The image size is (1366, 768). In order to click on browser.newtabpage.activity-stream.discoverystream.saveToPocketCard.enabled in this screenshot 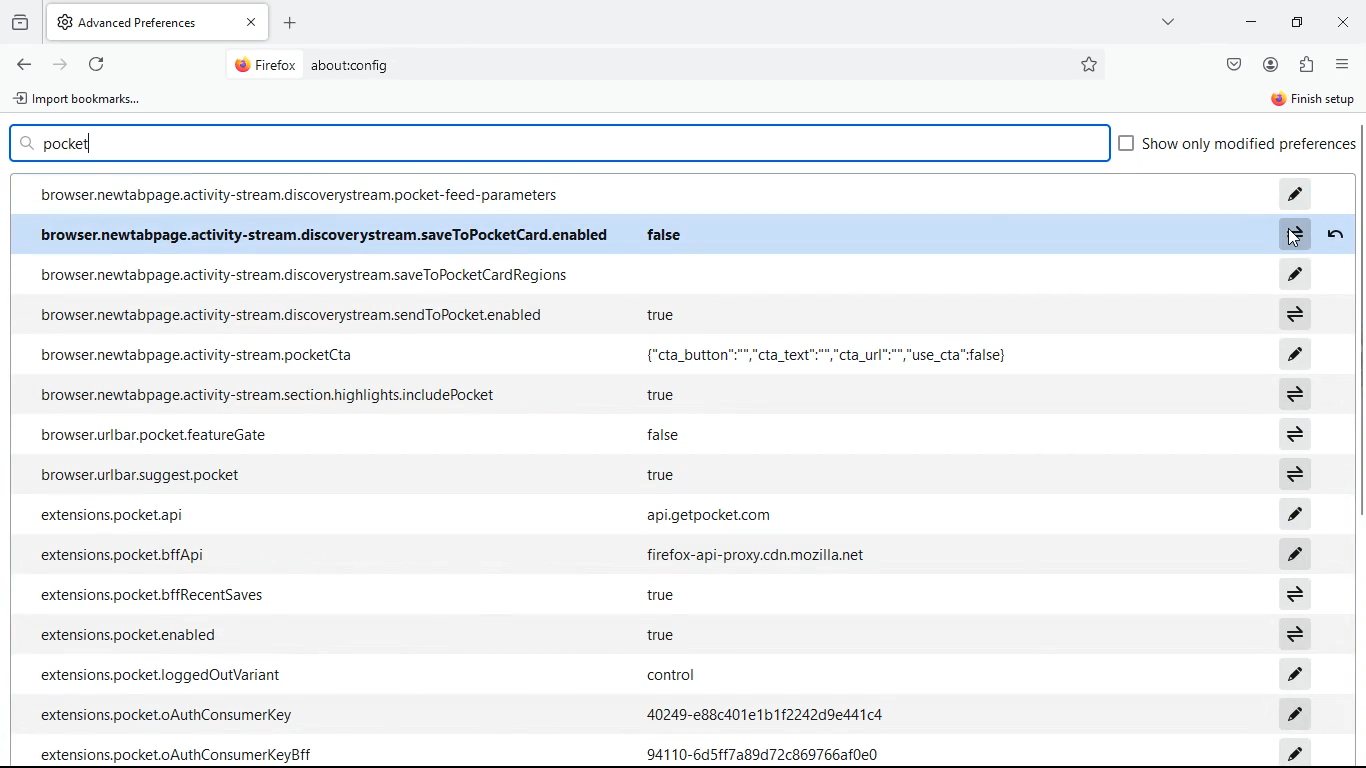, I will do `click(320, 234)`.